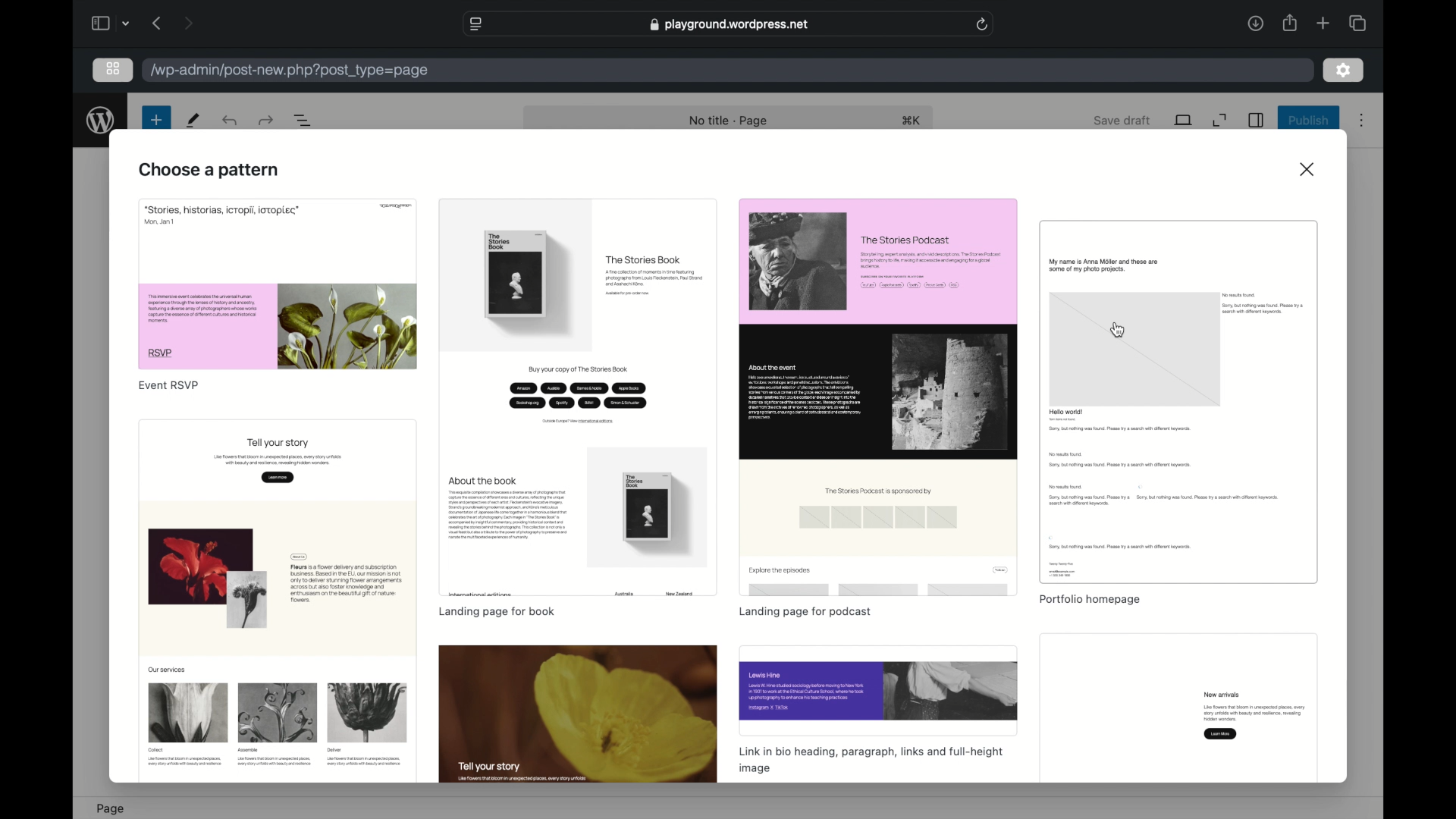 The image size is (1456, 819). I want to click on save draft, so click(1123, 120).